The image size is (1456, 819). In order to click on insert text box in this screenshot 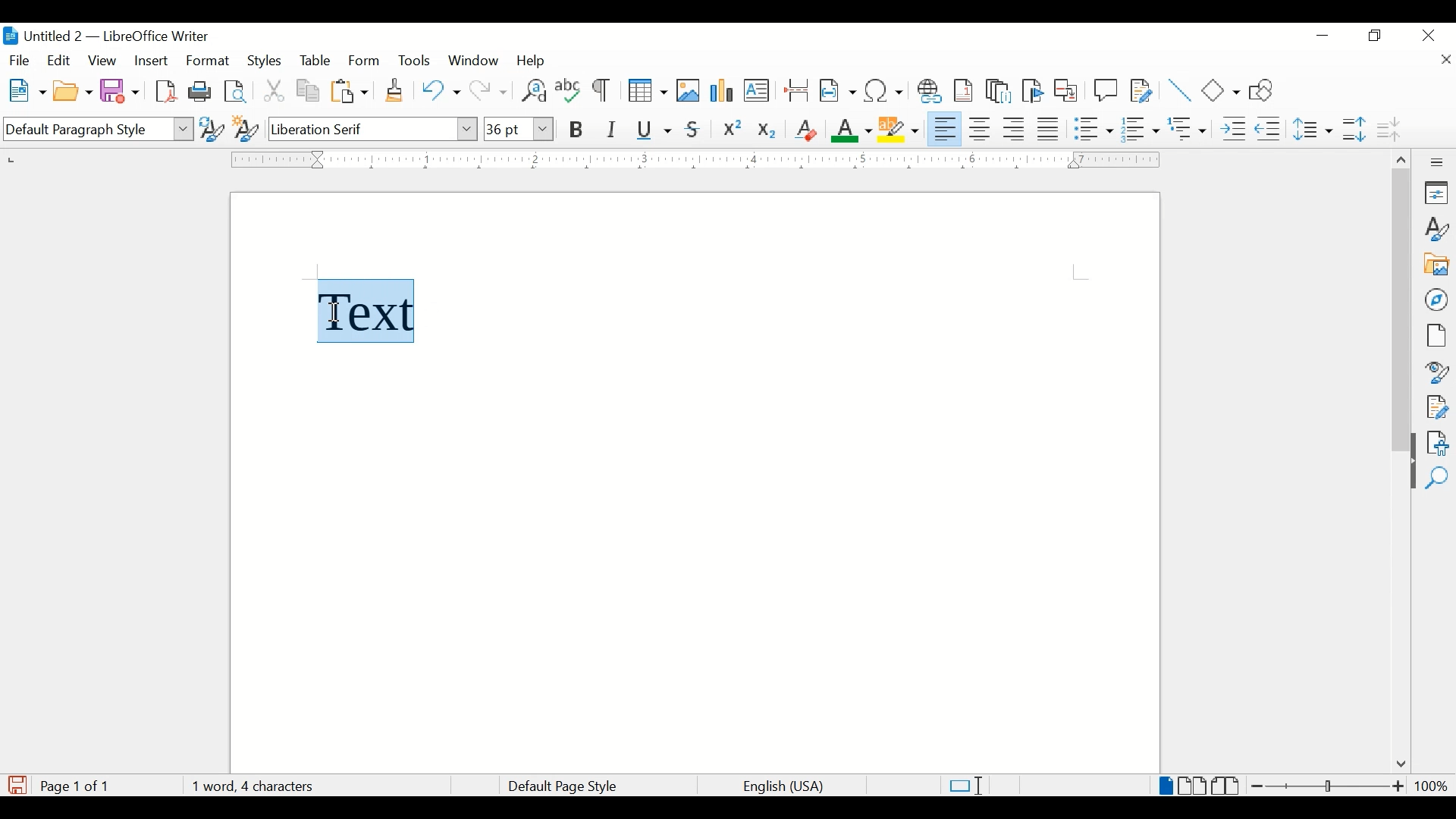, I will do `click(756, 90)`.